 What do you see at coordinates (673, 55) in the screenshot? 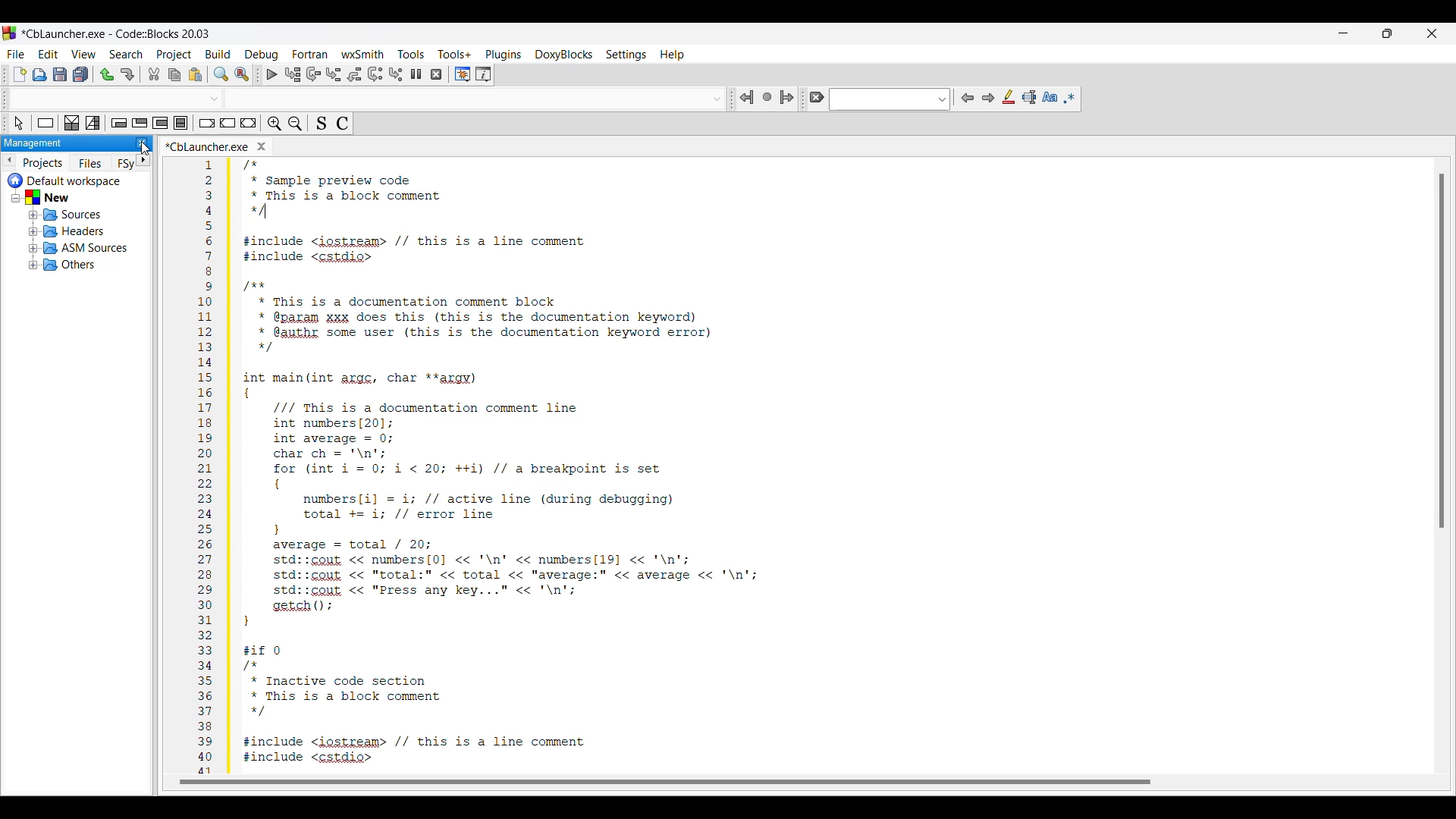
I see `Help menu` at bounding box center [673, 55].